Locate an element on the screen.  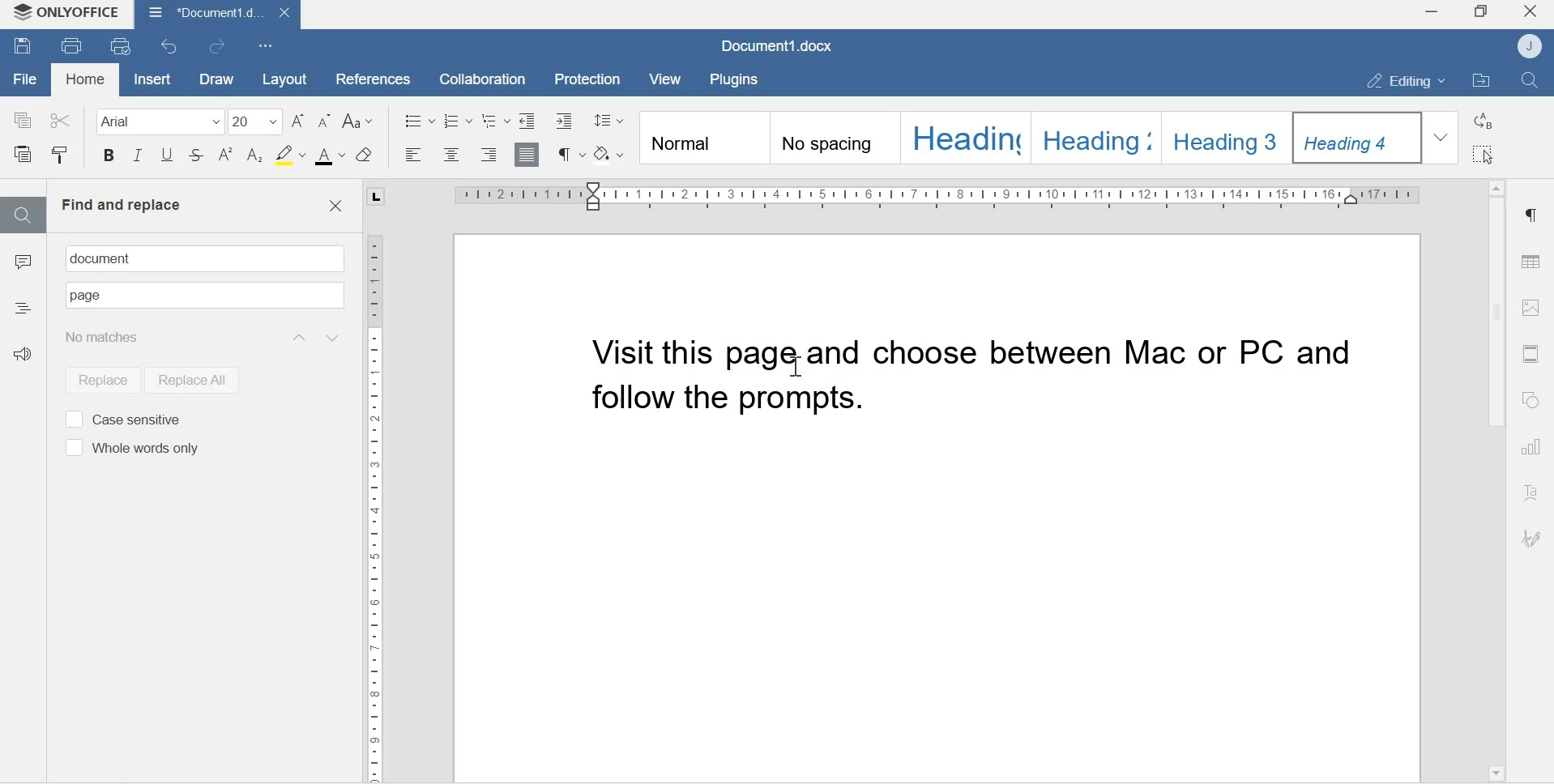
Plugins is located at coordinates (738, 78).